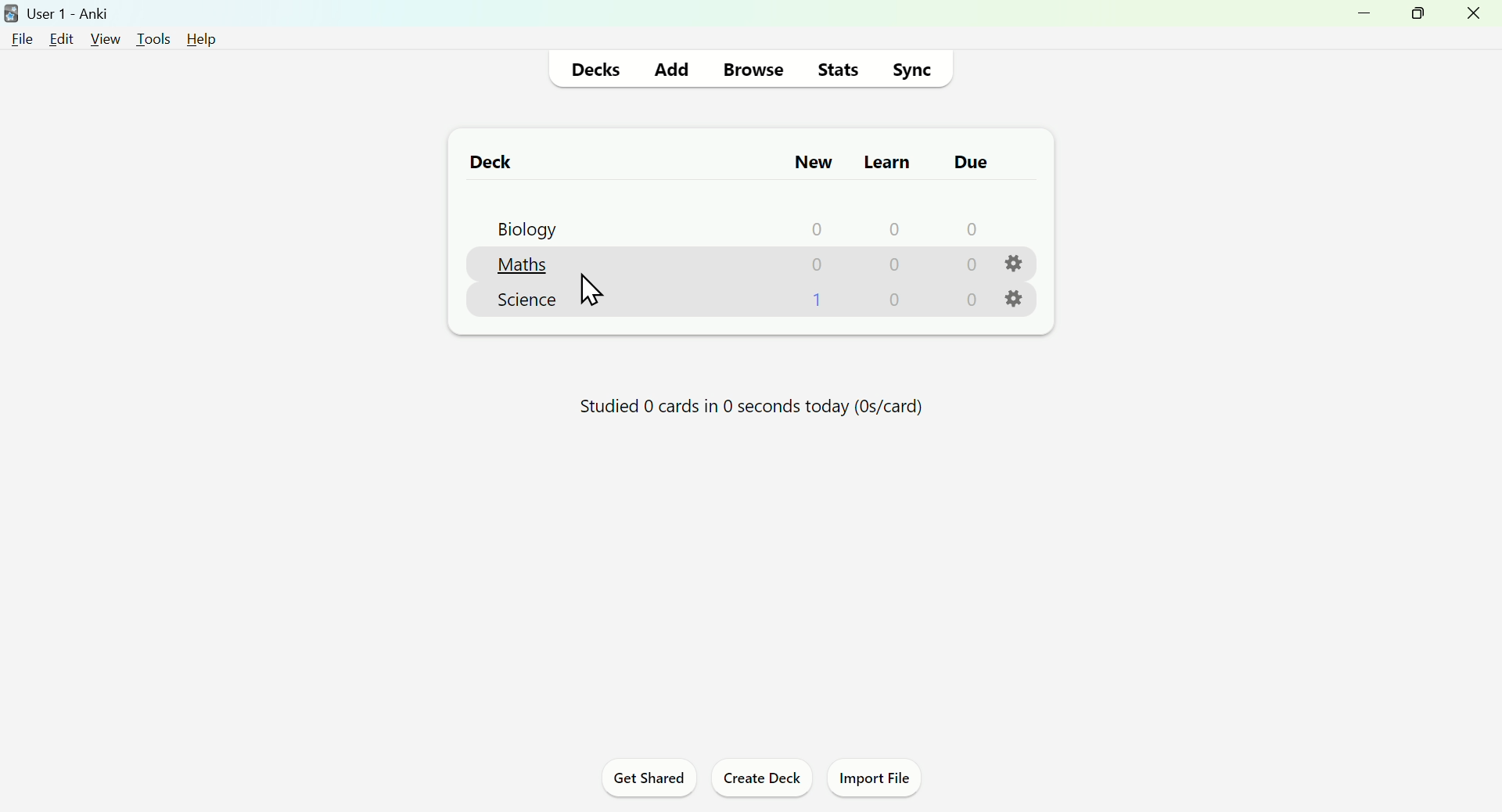 The image size is (1502, 812). What do you see at coordinates (66, 37) in the screenshot?
I see `Edit` at bounding box center [66, 37].